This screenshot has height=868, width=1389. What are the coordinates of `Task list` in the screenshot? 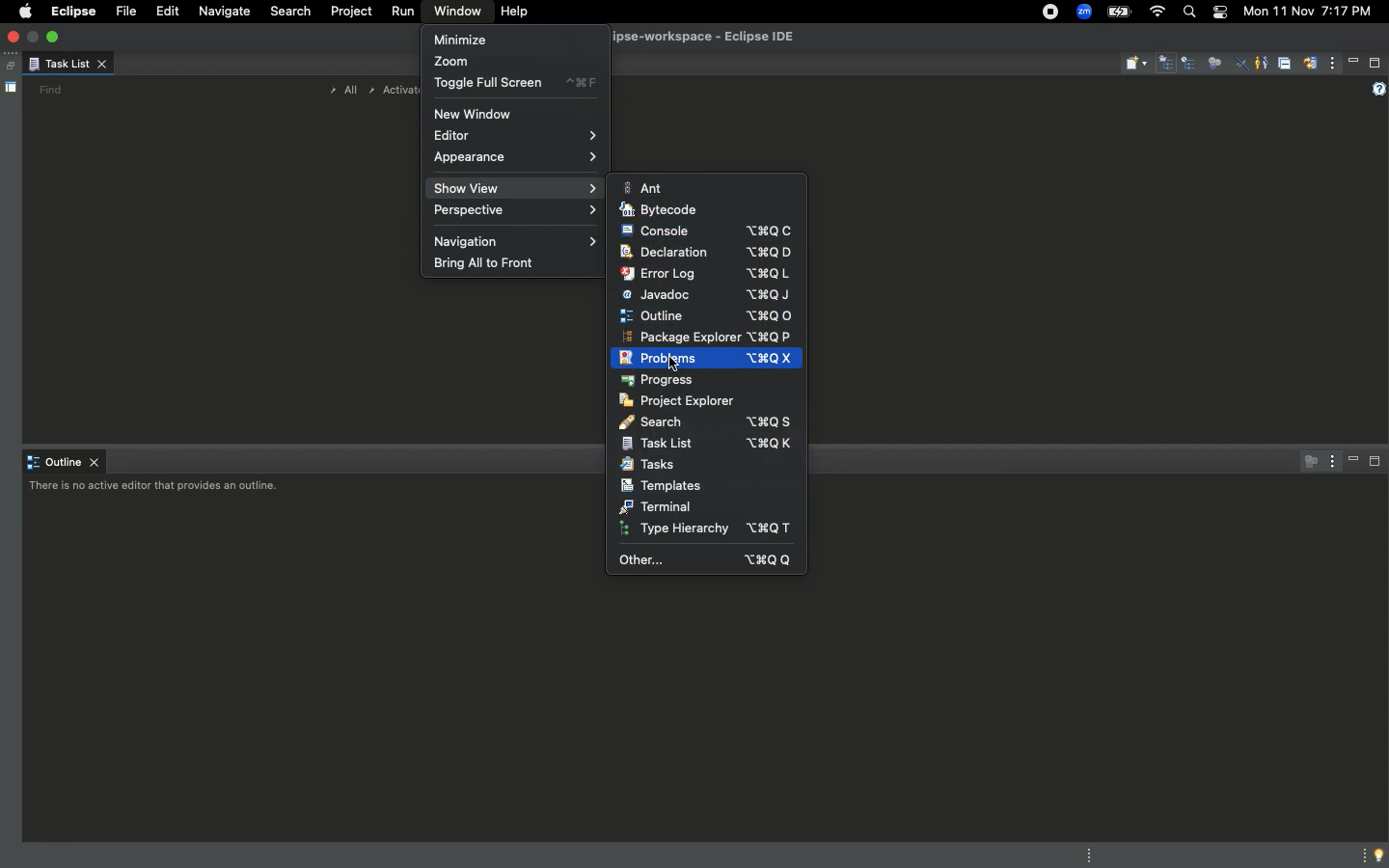 It's located at (68, 66).